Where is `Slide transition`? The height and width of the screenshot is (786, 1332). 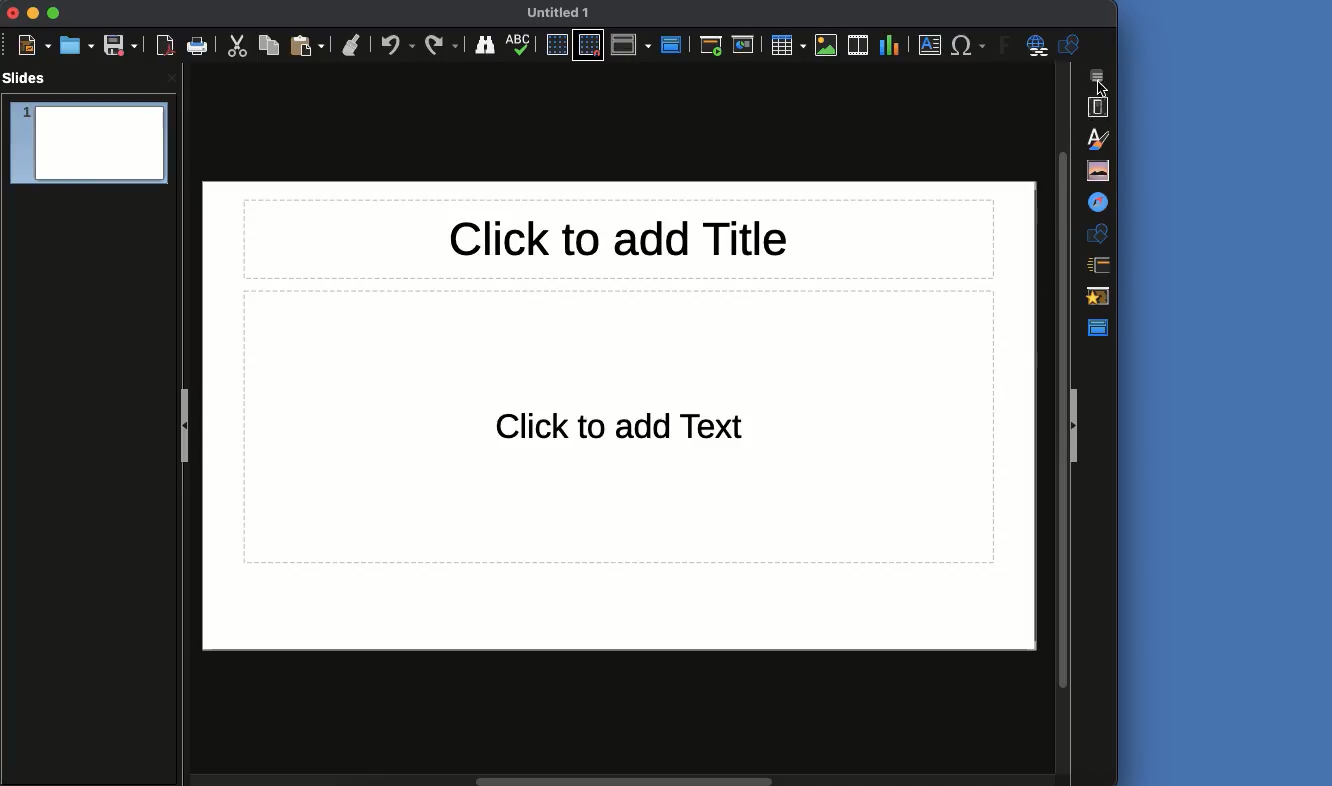 Slide transition is located at coordinates (1101, 263).